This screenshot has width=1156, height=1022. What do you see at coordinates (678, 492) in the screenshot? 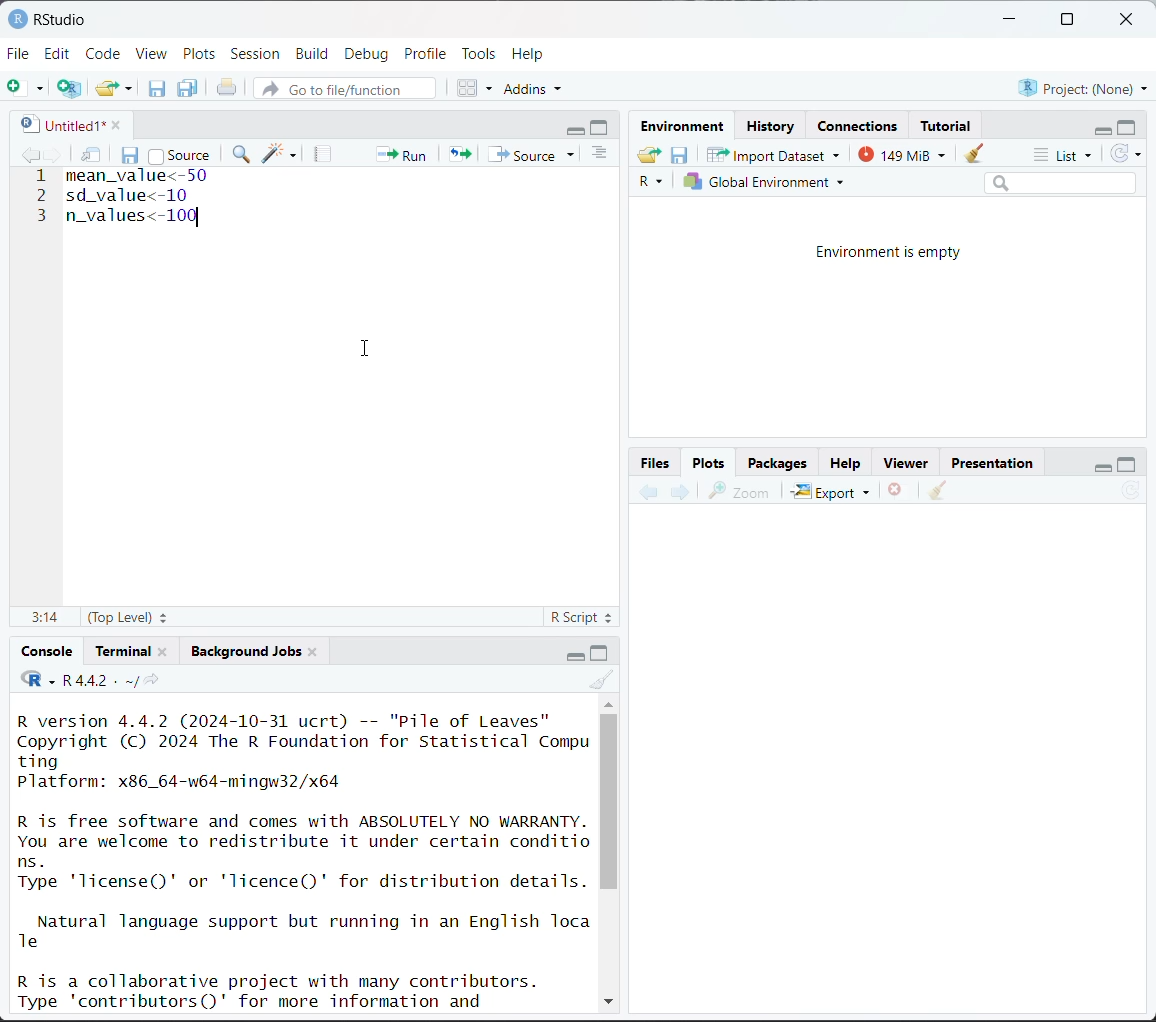
I see `next plot` at bounding box center [678, 492].